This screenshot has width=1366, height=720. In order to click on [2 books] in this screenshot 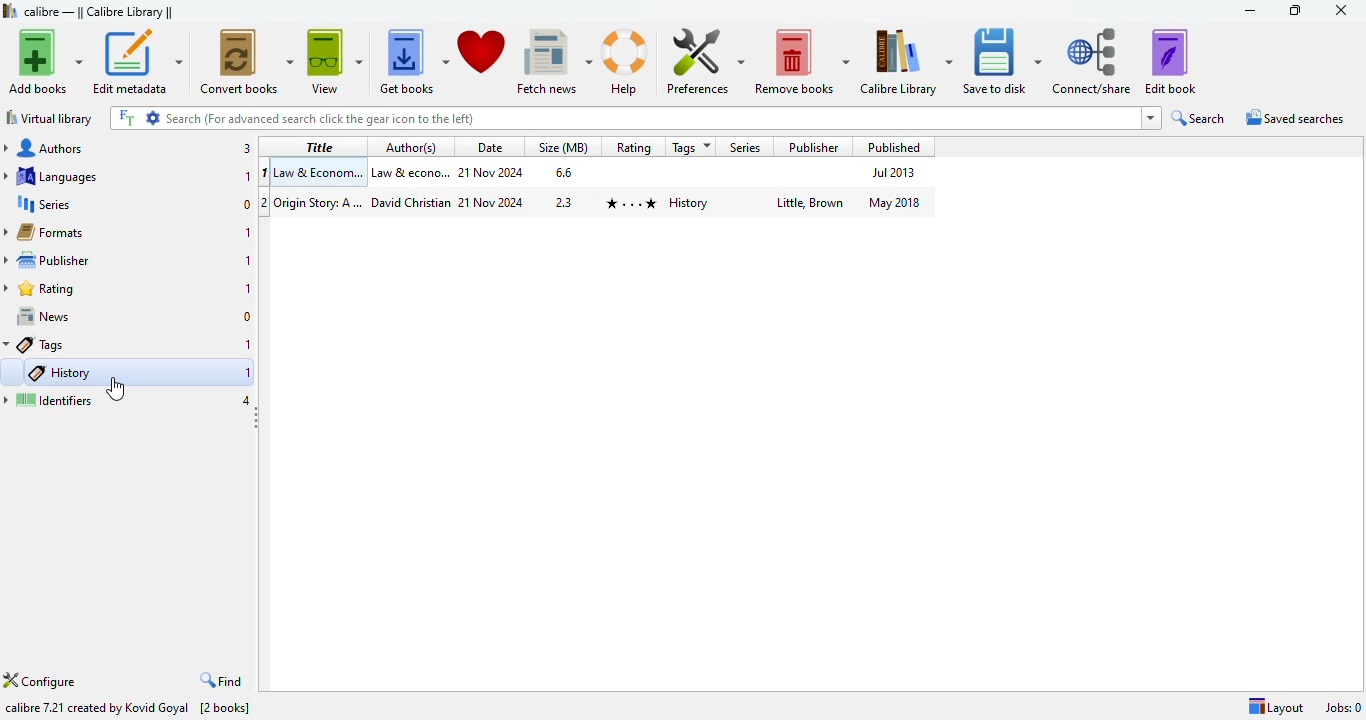, I will do `click(225, 708)`.